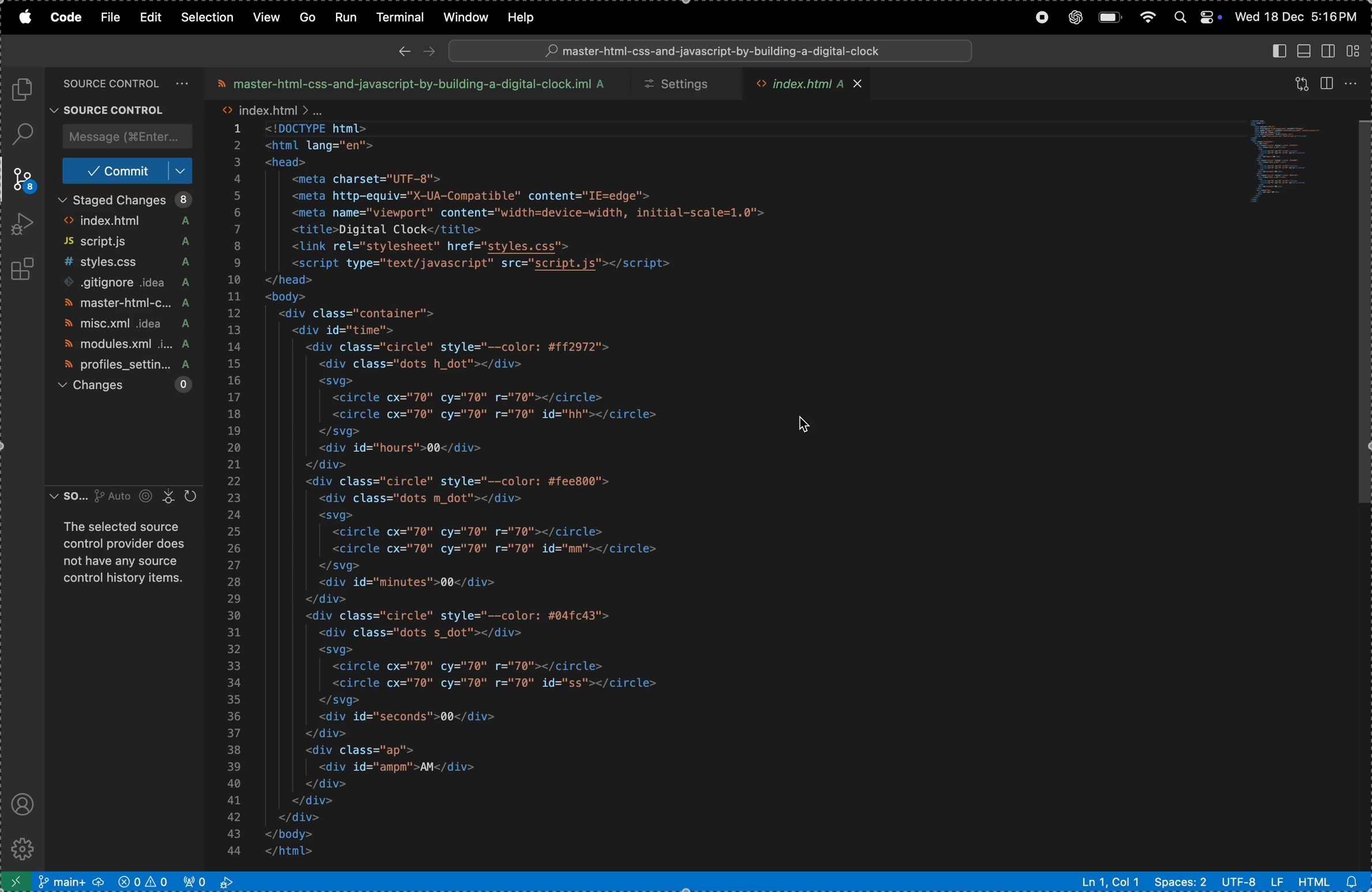 The width and height of the screenshot is (1372, 892). Describe the element at coordinates (125, 264) in the screenshot. I see `style .css` at that location.